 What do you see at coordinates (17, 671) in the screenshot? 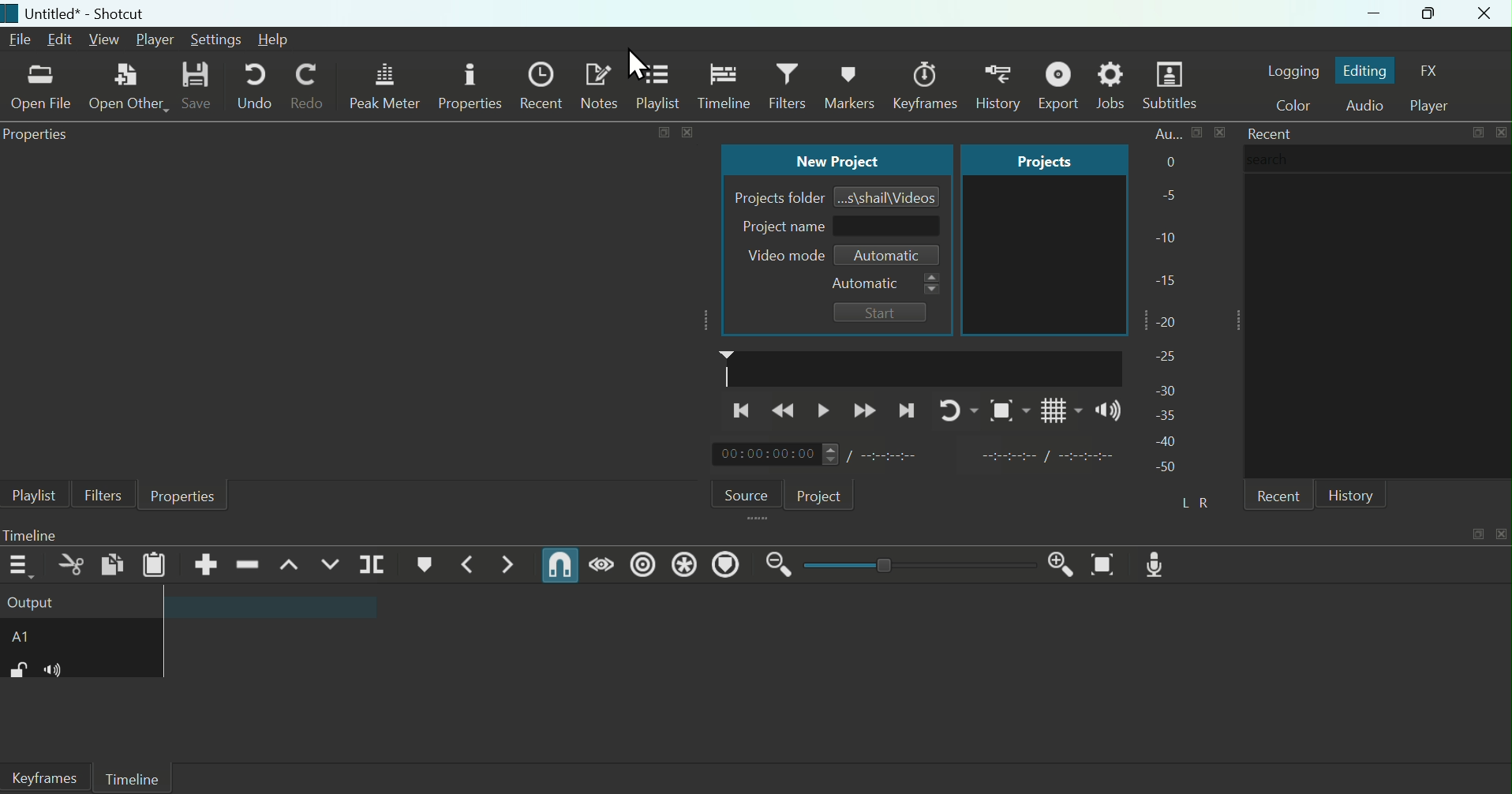
I see `Lock Track` at bounding box center [17, 671].